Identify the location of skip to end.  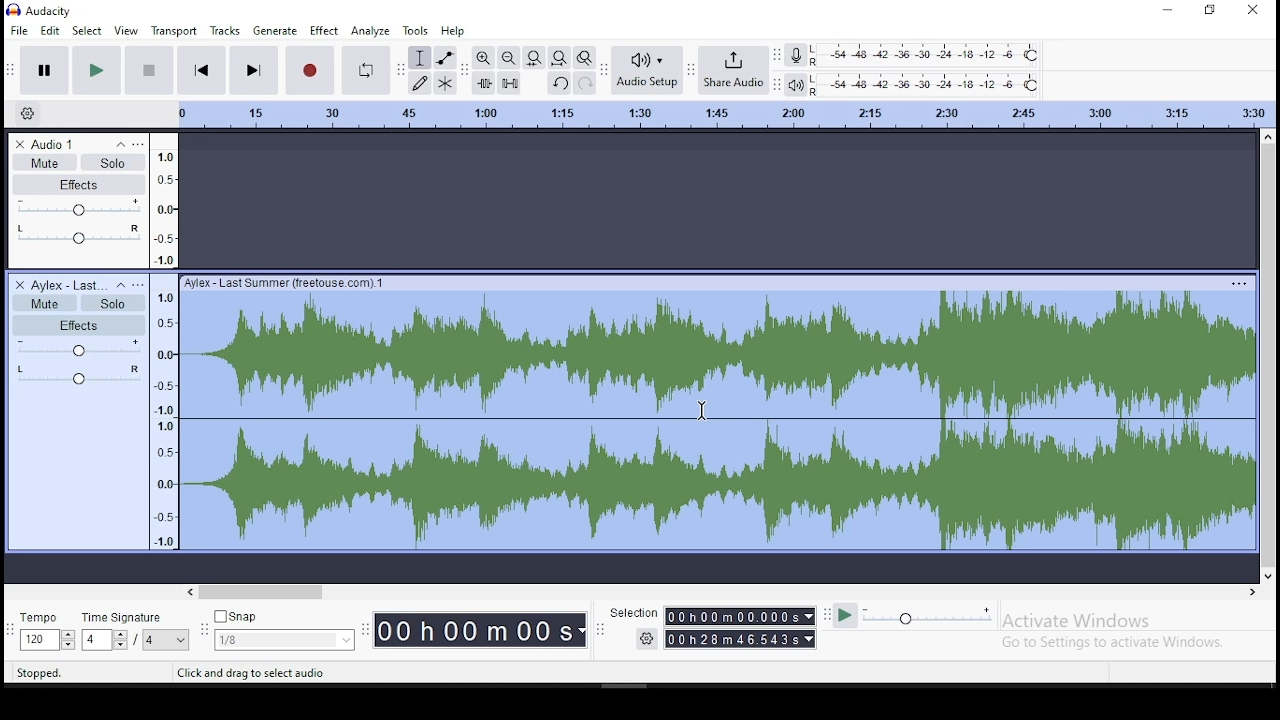
(253, 71).